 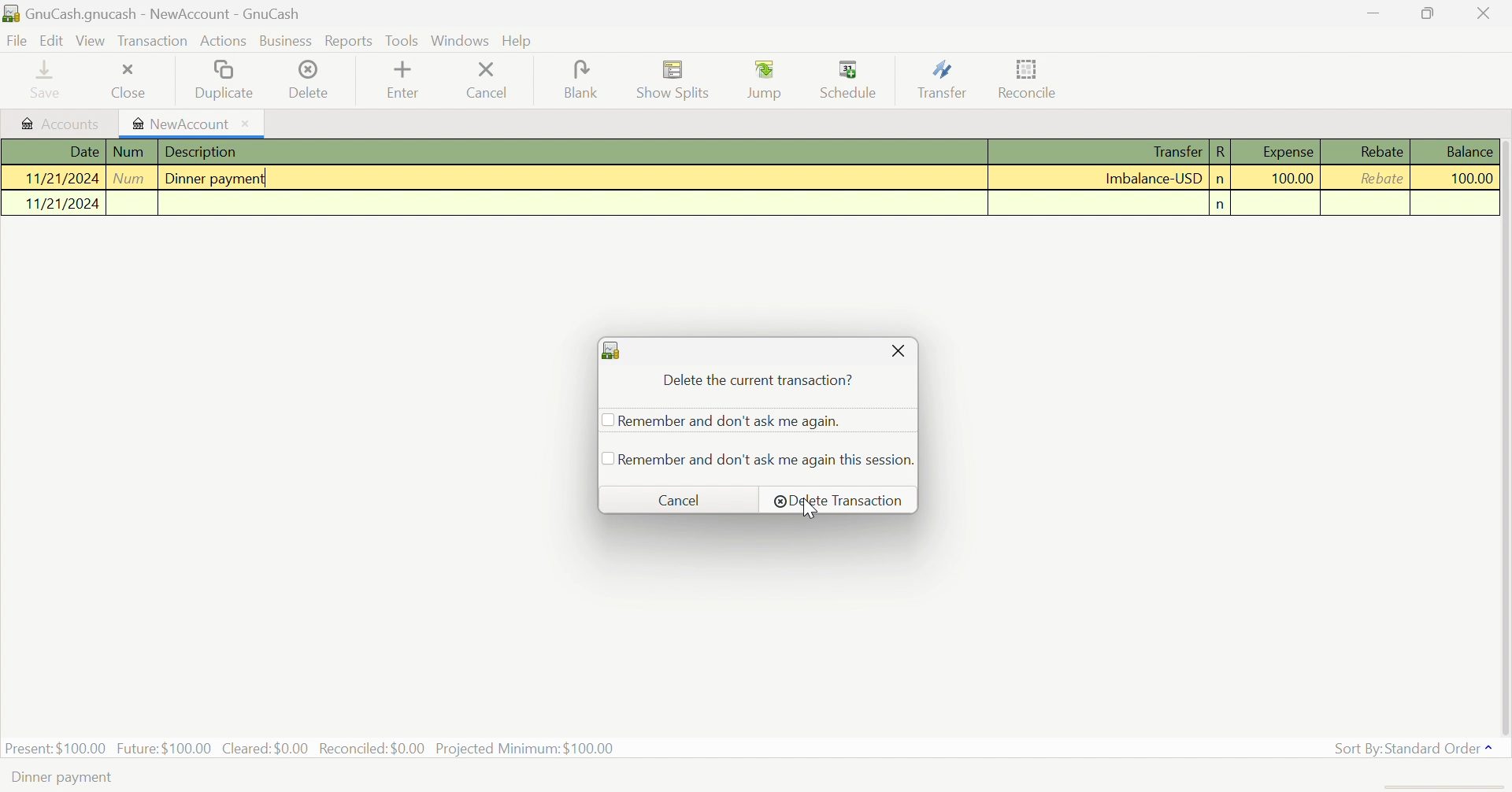 What do you see at coordinates (58, 781) in the screenshot?
I see `Dinner Payment` at bounding box center [58, 781].